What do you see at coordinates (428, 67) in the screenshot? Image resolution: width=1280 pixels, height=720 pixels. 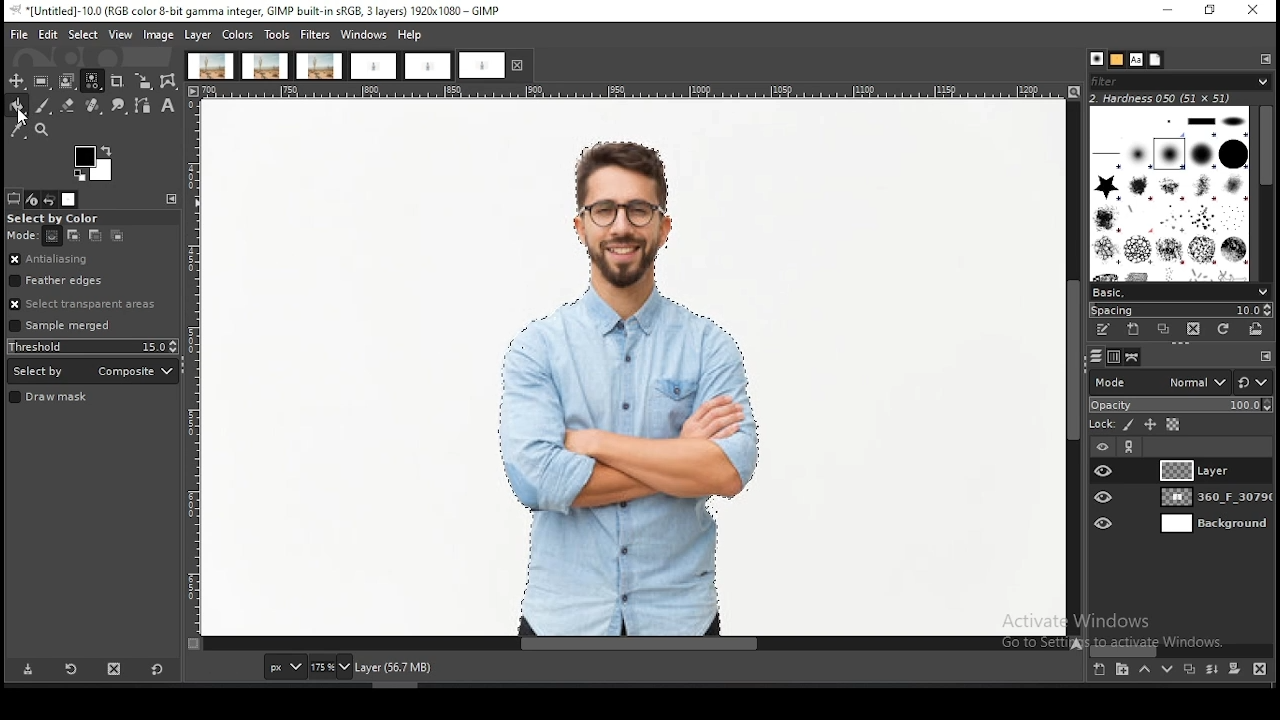 I see `project tab` at bounding box center [428, 67].